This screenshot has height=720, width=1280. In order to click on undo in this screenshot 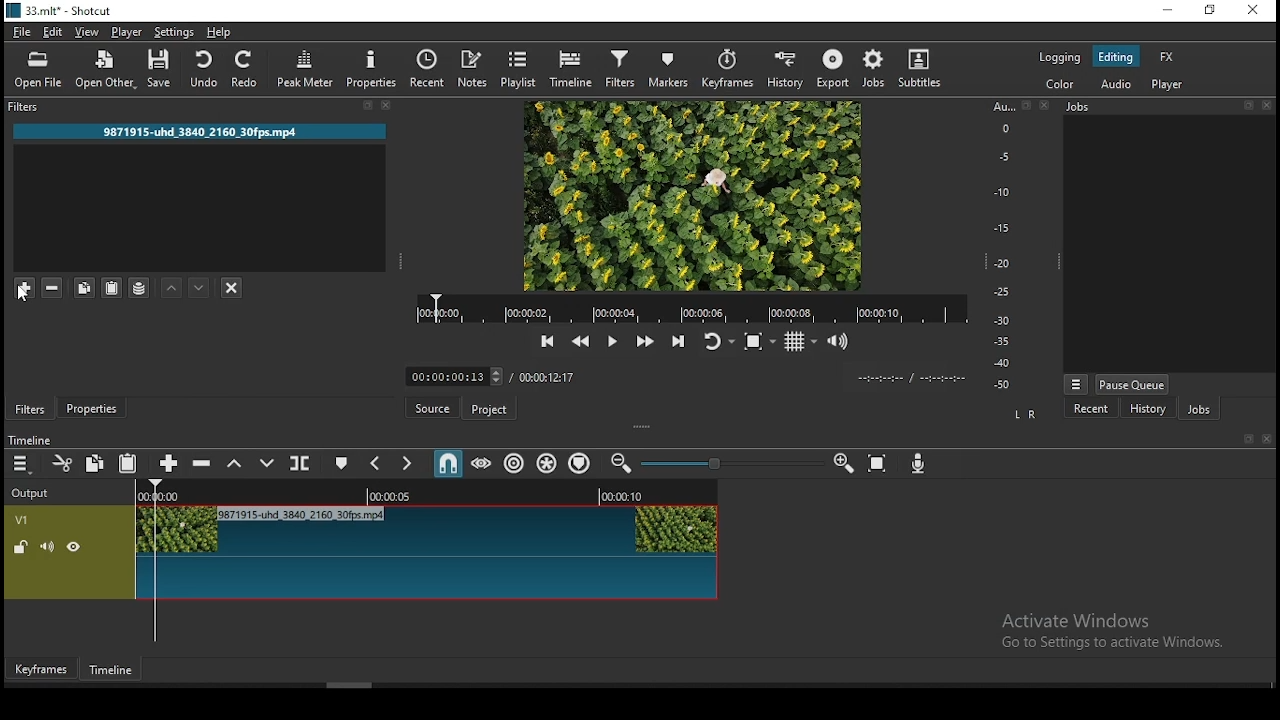, I will do `click(202, 72)`.